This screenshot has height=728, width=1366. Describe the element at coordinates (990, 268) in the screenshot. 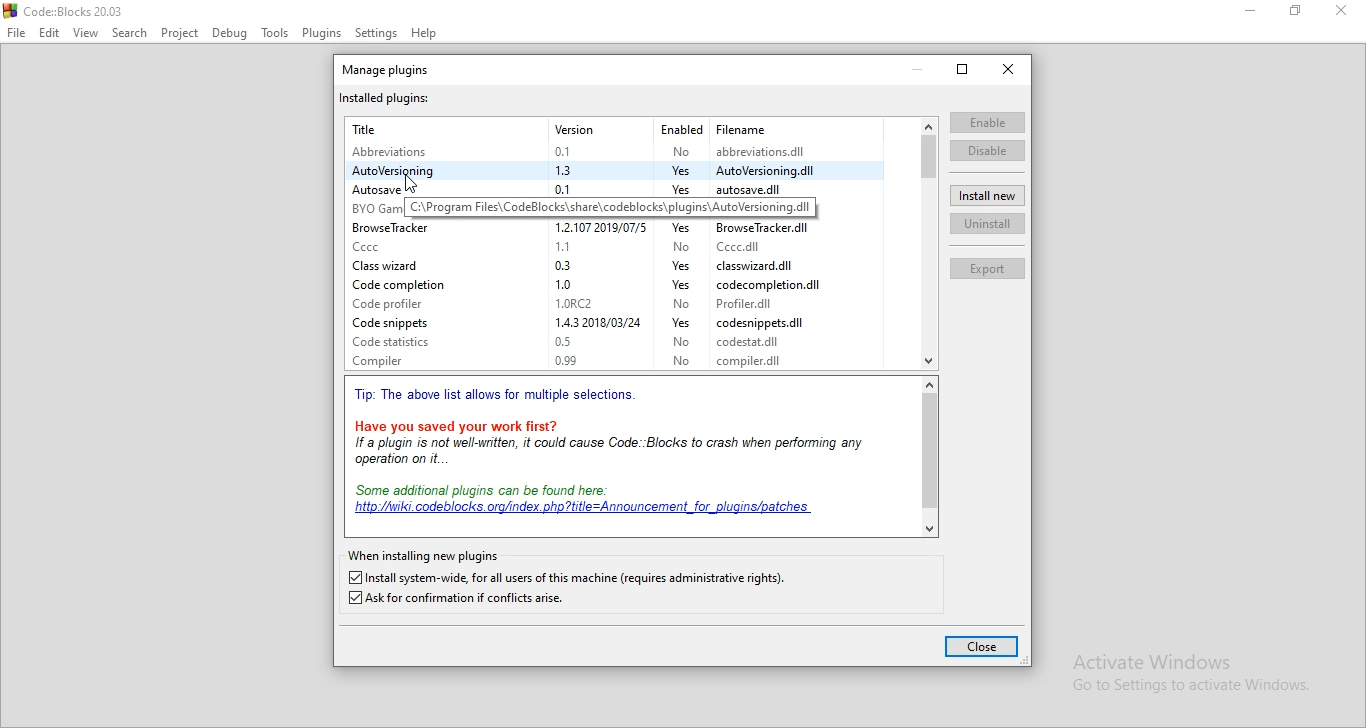

I see `export` at that location.